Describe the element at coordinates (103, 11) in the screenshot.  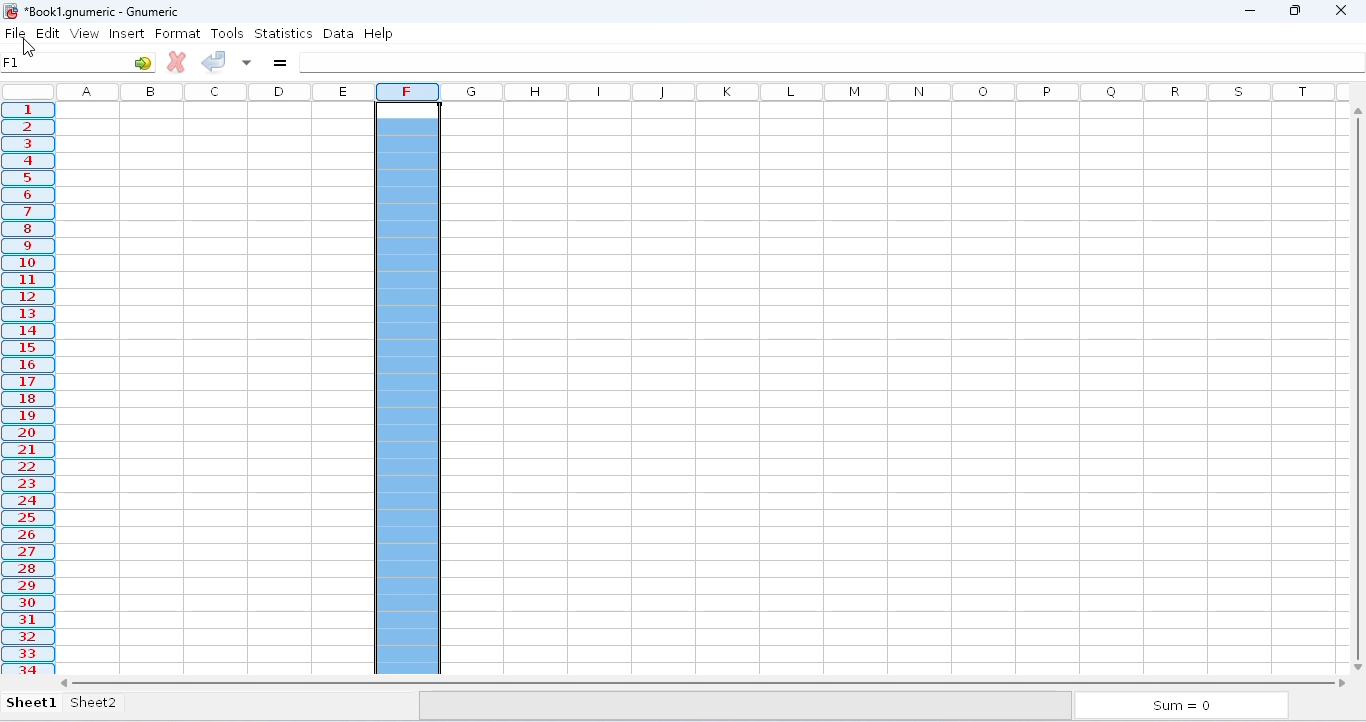
I see `Book1 numeric - Gnumeric` at that location.